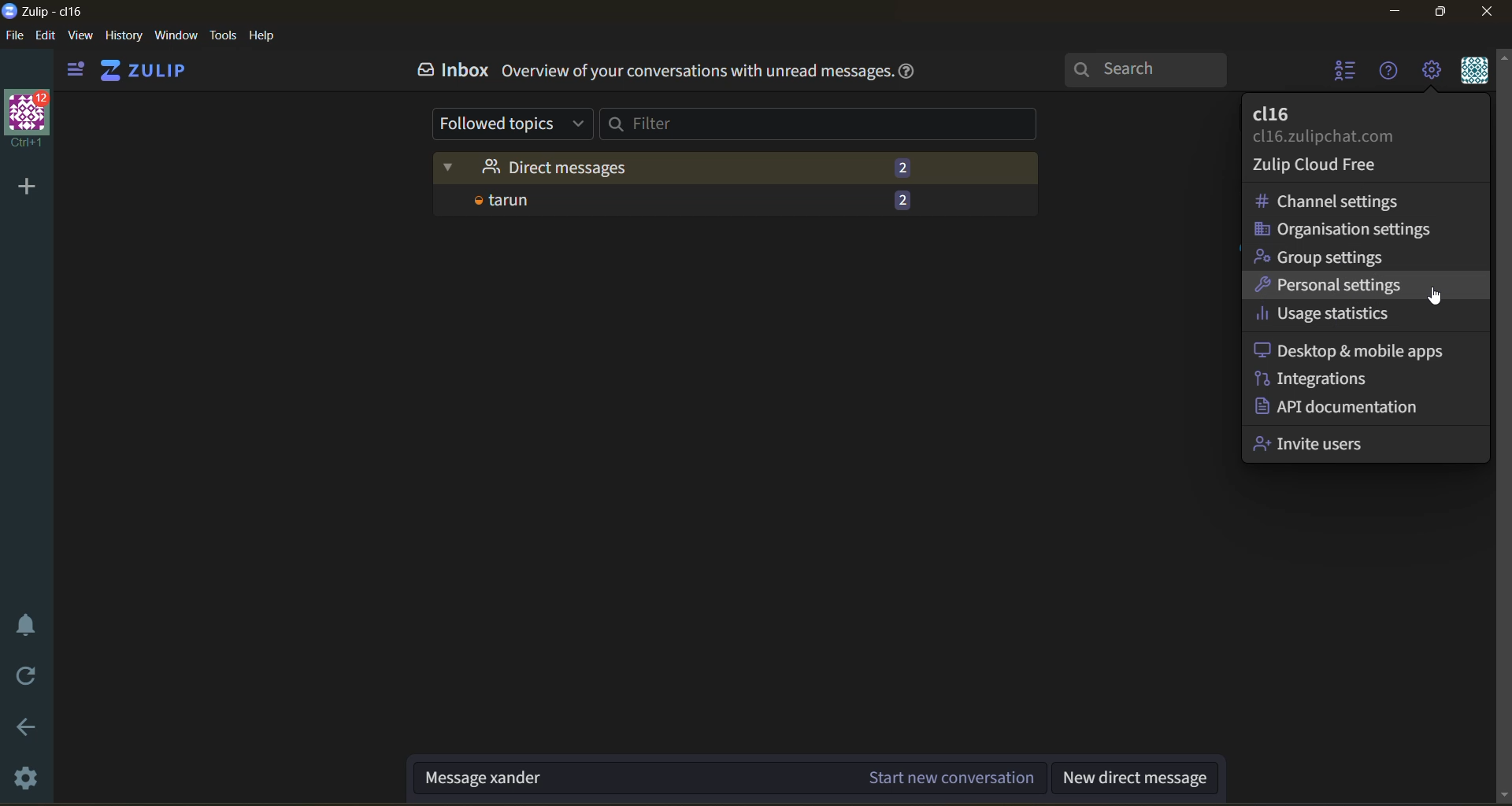  What do you see at coordinates (821, 124) in the screenshot?
I see `filter` at bounding box center [821, 124].